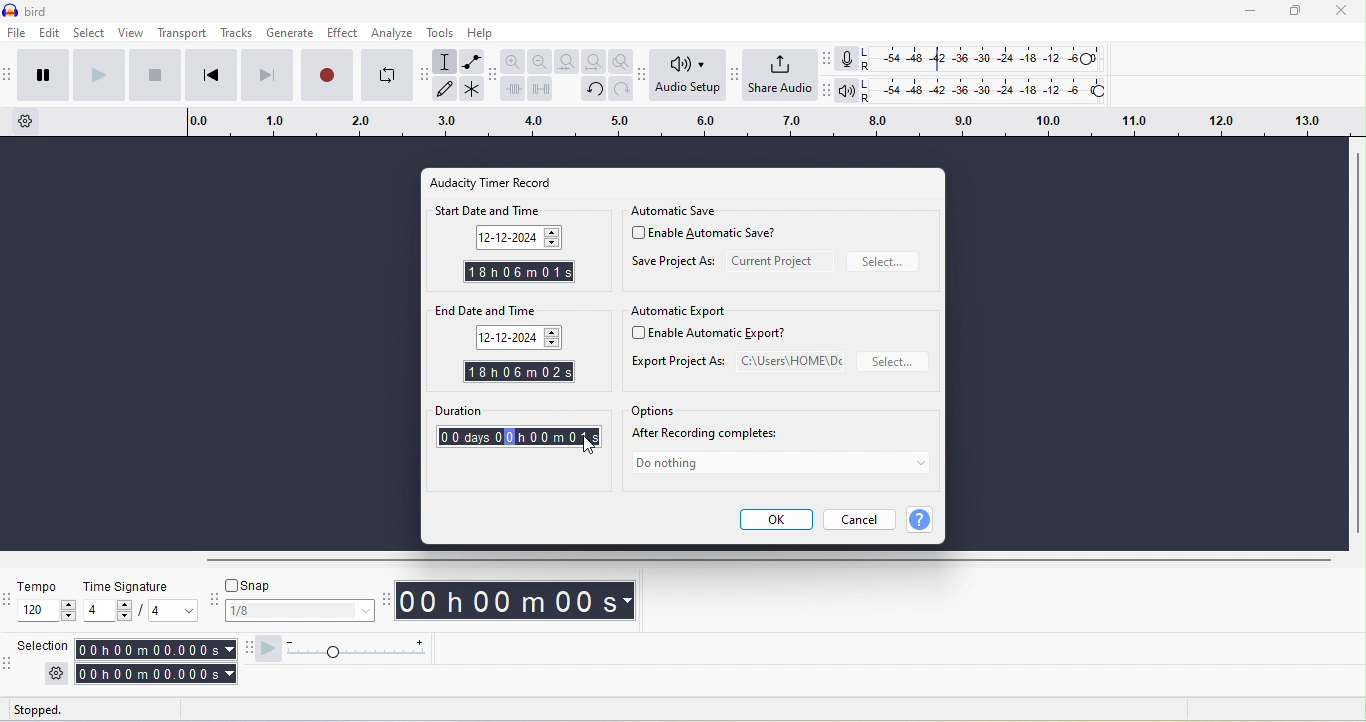 The image size is (1366, 722). What do you see at coordinates (994, 91) in the screenshot?
I see `playback level` at bounding box center [994, 91].